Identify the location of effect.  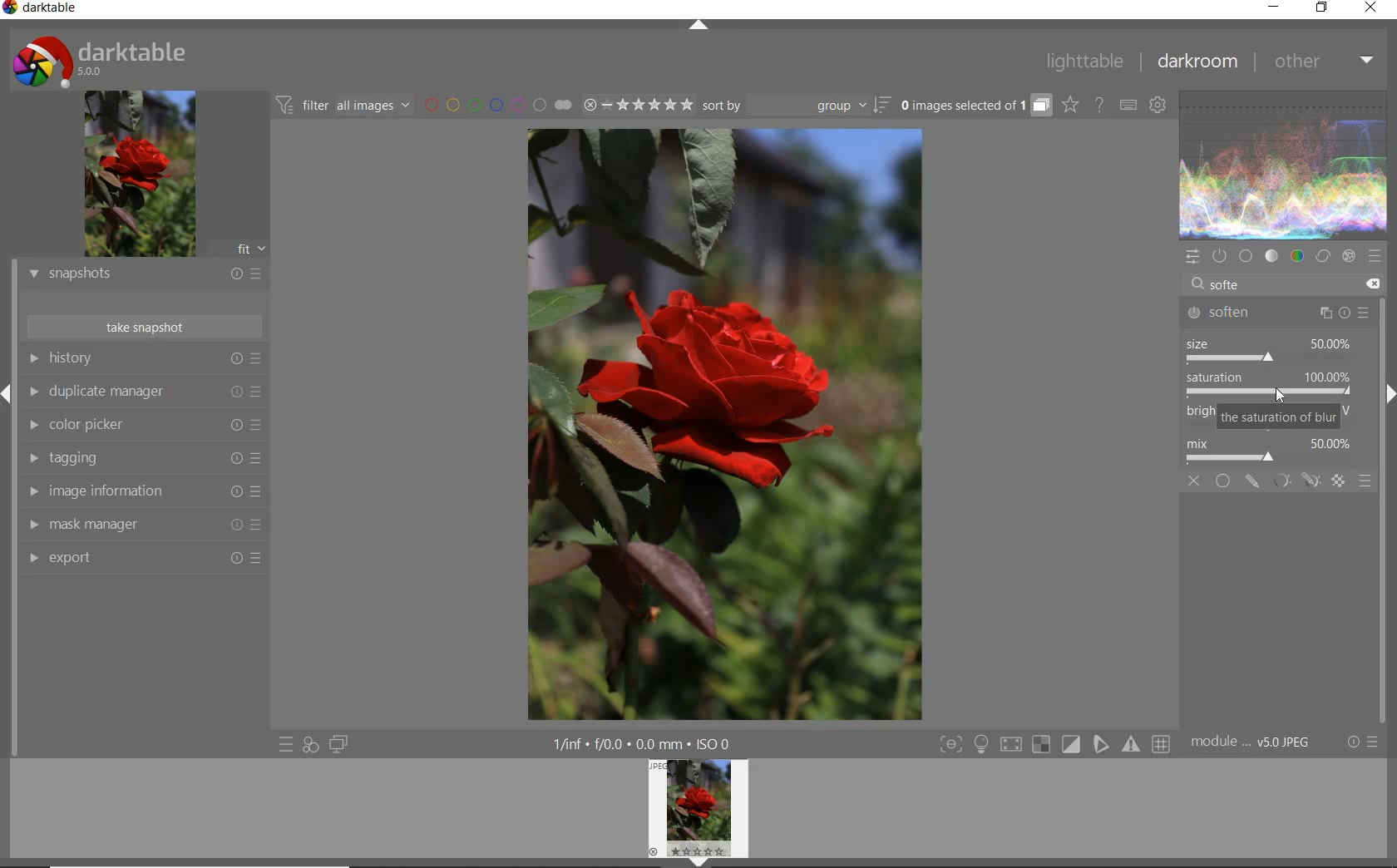
(1348, 257).